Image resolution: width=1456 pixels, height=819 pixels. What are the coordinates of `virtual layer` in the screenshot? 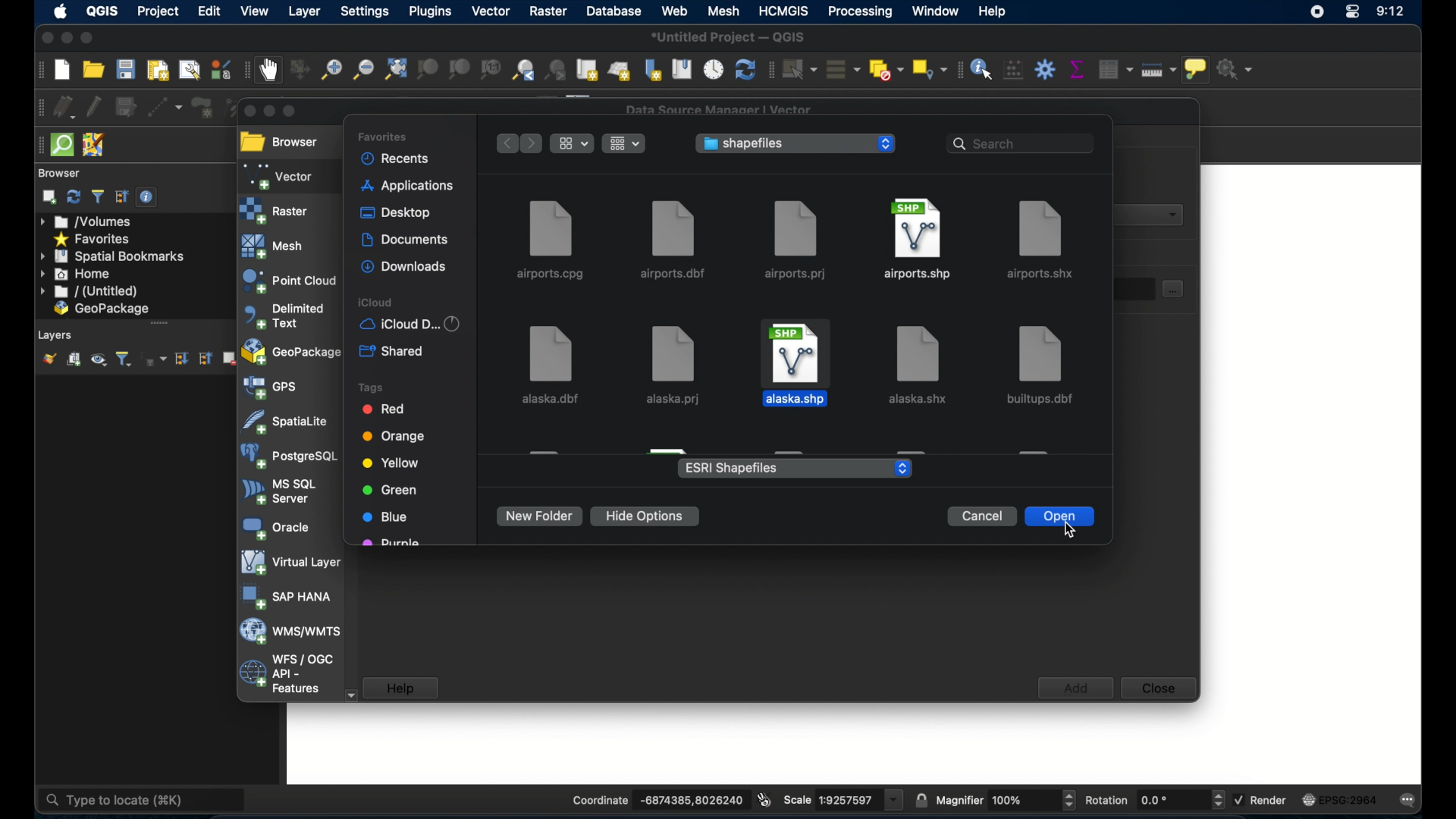 It's located at (288, 563).